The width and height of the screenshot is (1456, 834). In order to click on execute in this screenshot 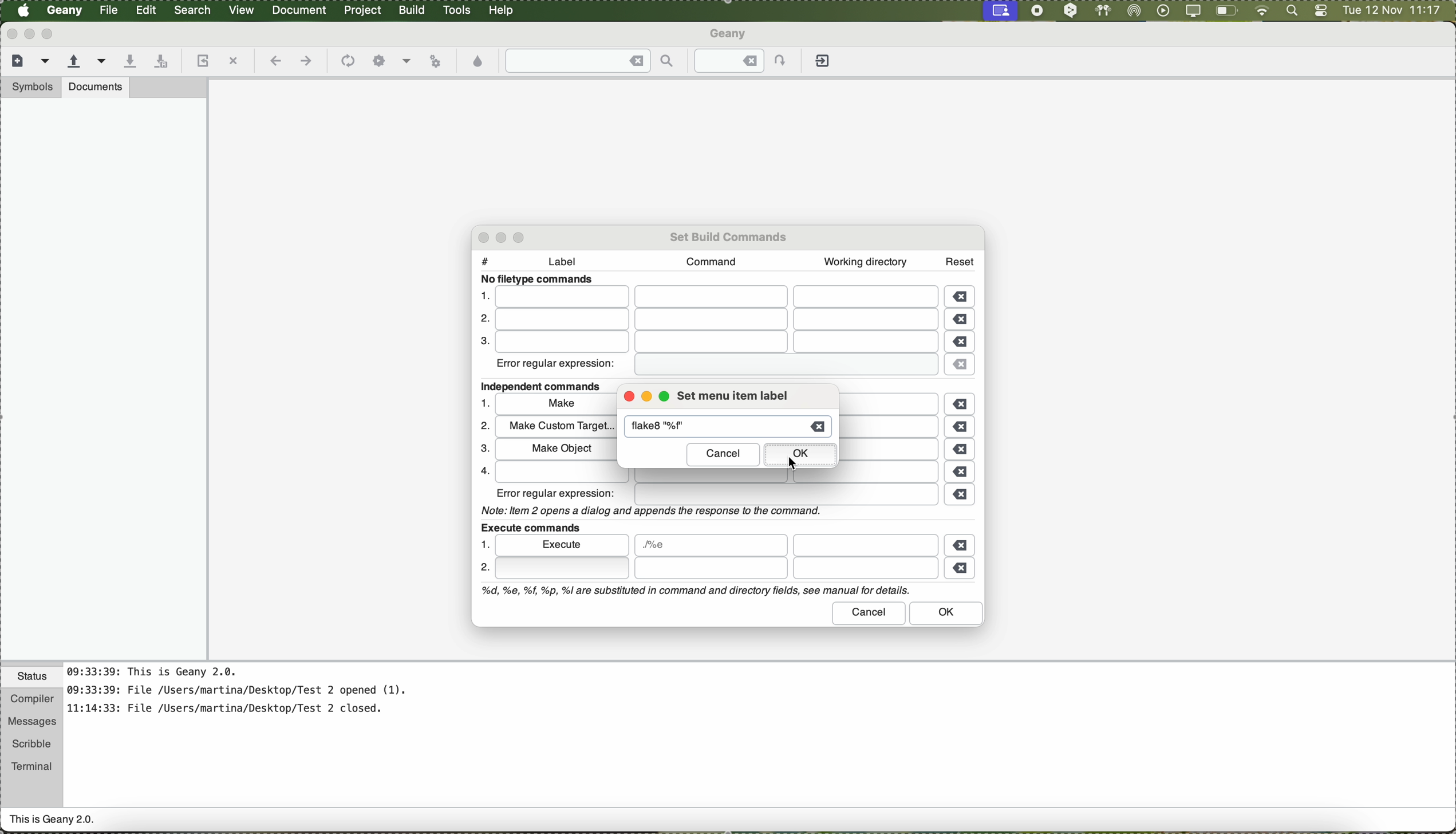, I will do `click(563, 544)`.